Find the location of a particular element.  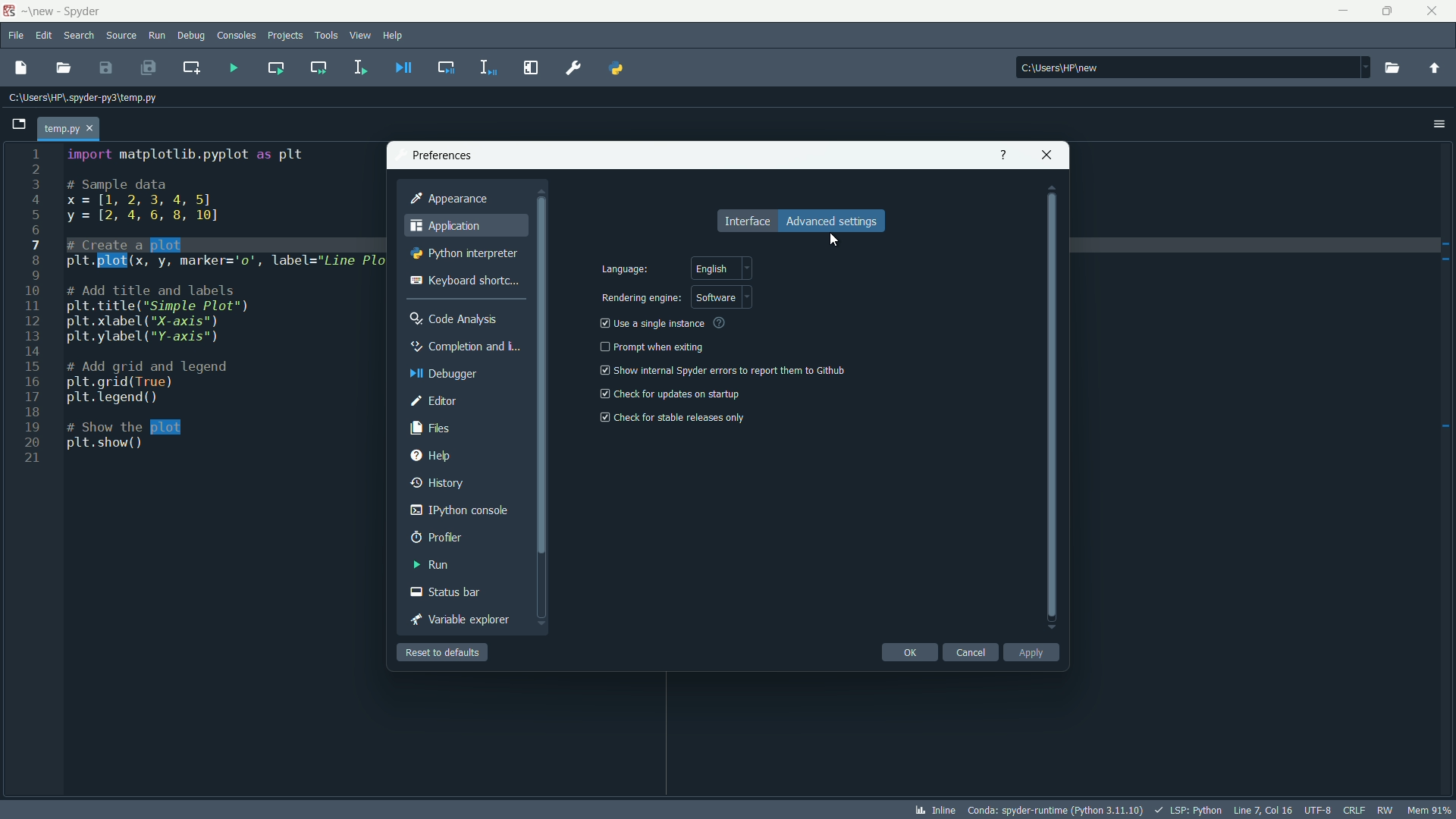

preferences is located at coordinates (575, 67).